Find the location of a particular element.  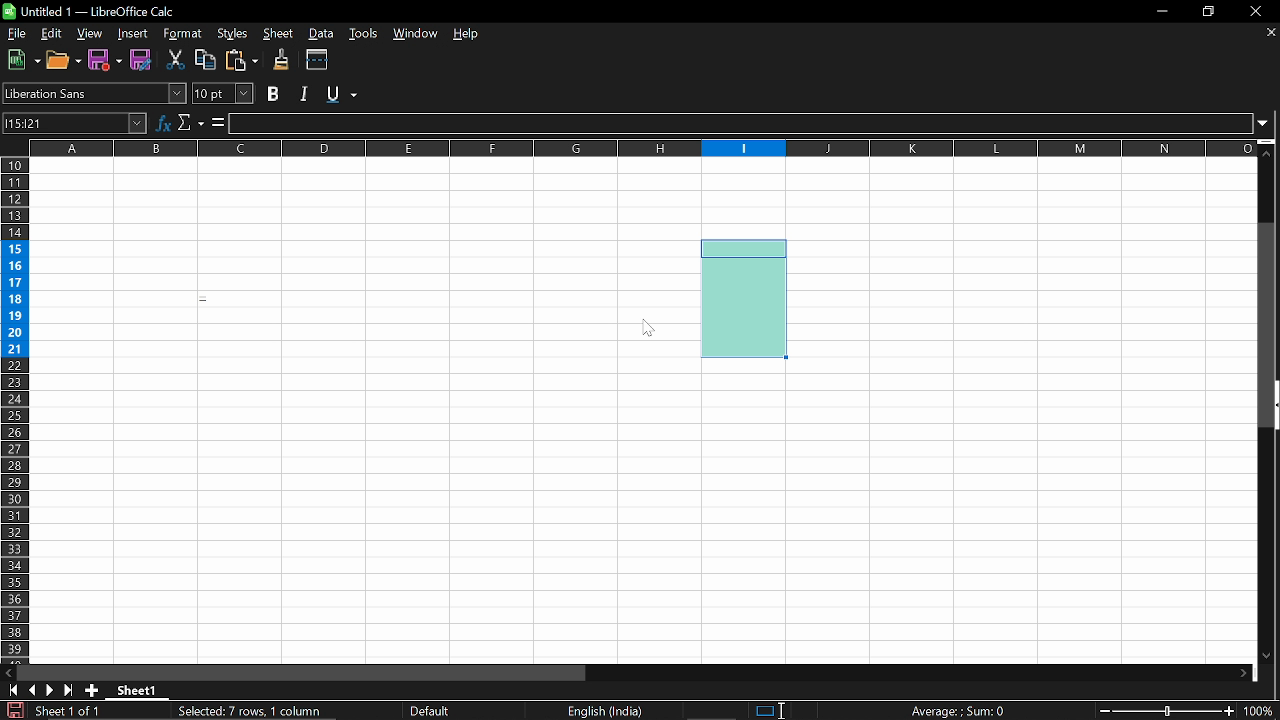

Bold is located at coordinates (274, 93).